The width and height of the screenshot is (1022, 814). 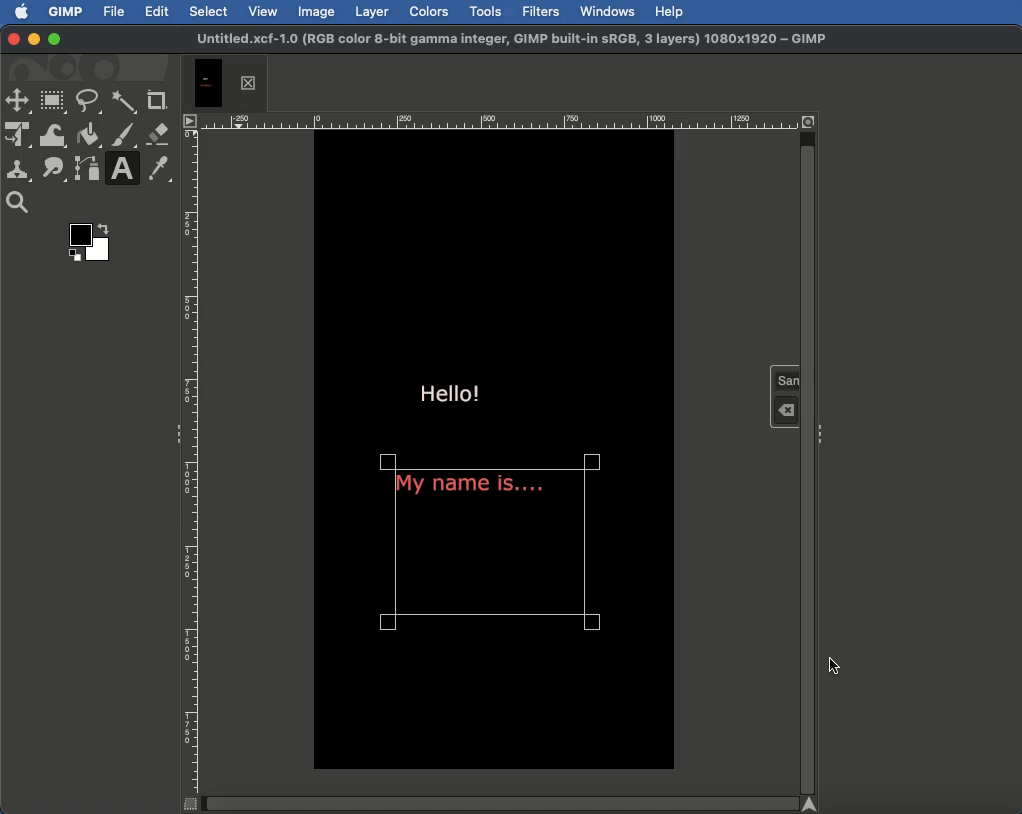 What do you see at coordinates (785, 394) in the screenshot?
I see `Text tool` at bounding box center [785, 394].